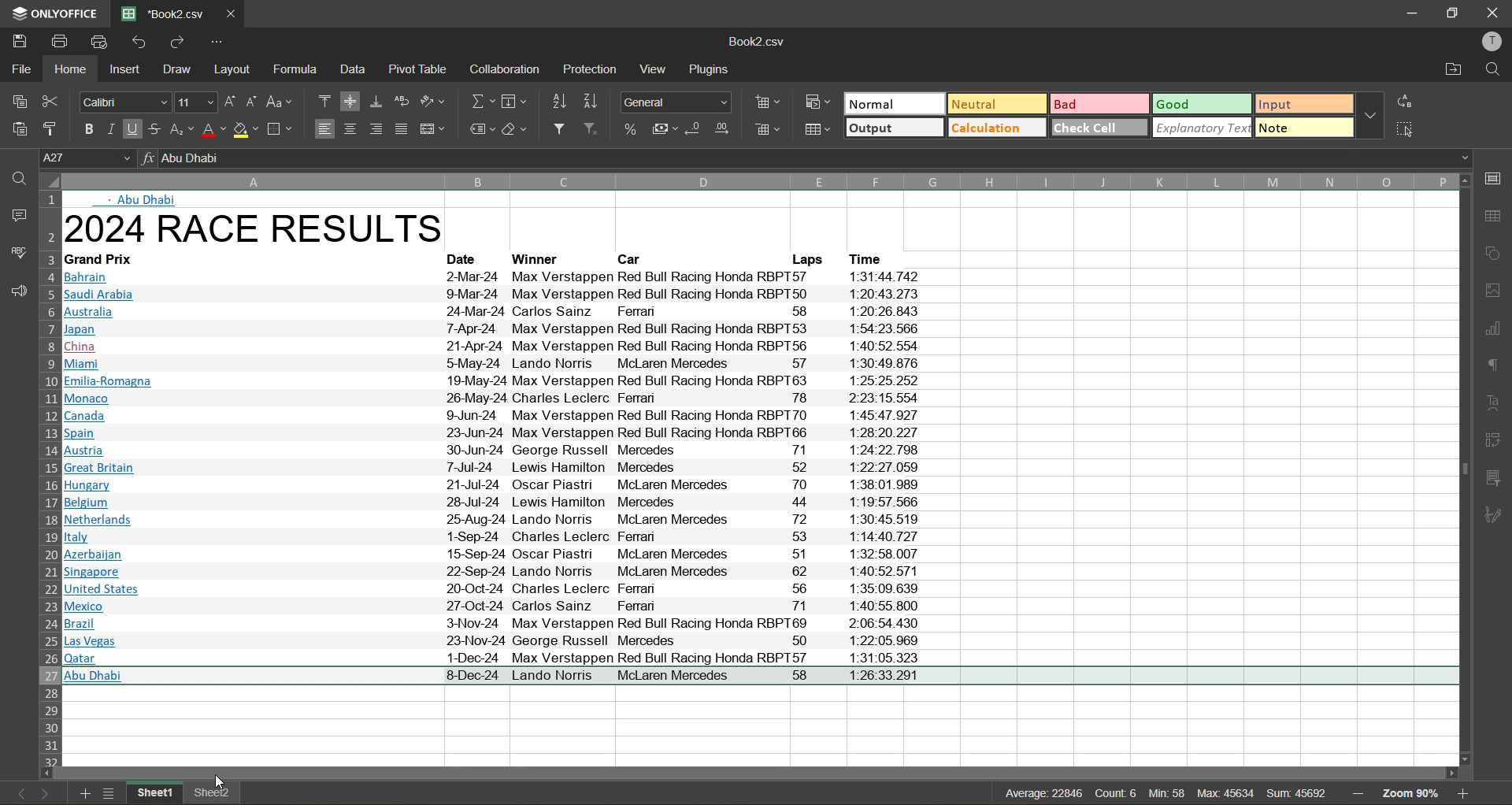 Image resolution: width=1512 pixels, height=805 pixels. I want to click on borders, so click(282, 129).